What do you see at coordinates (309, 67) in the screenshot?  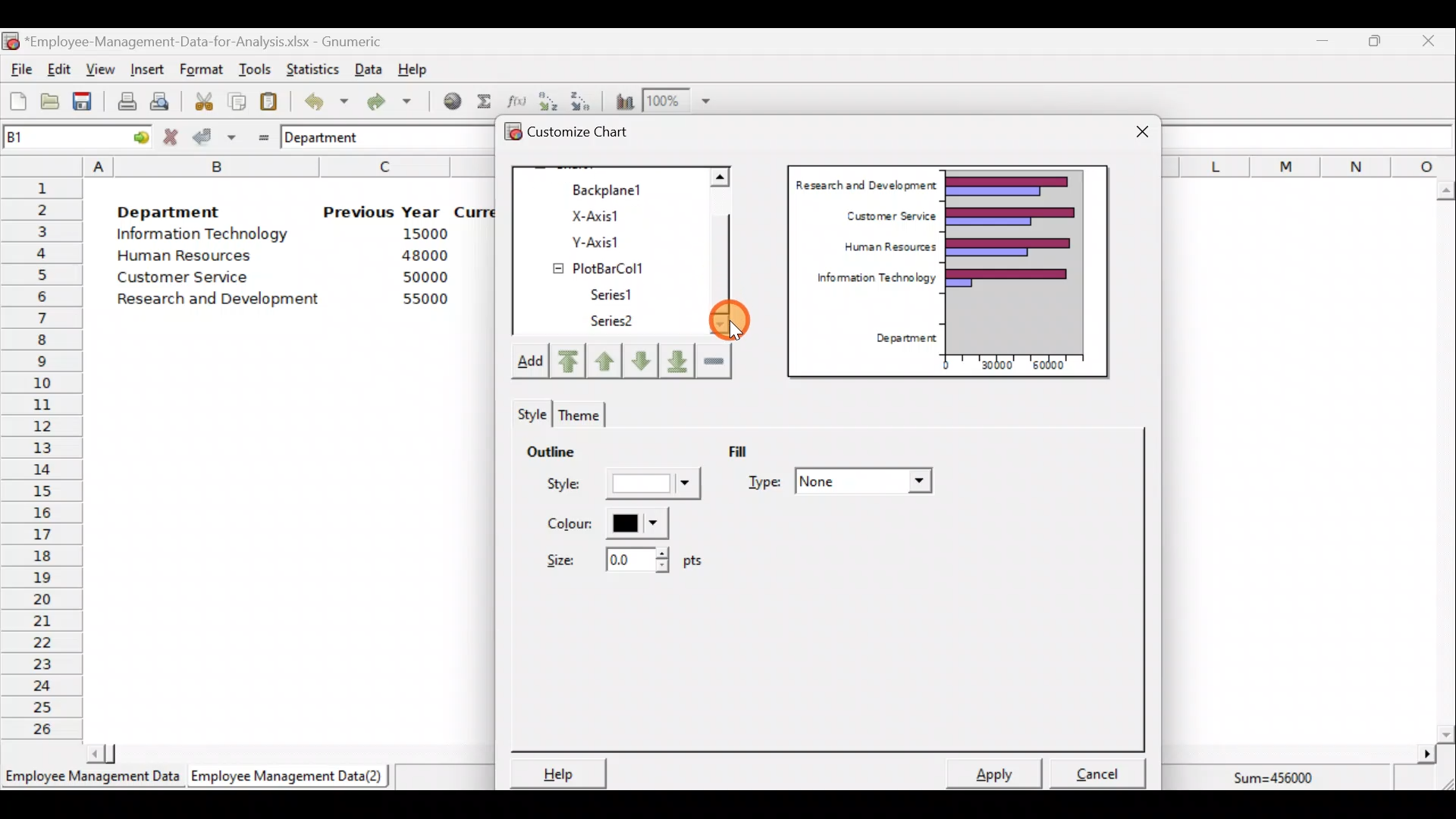 I see `Statistics` at bounding box center [309, 67].